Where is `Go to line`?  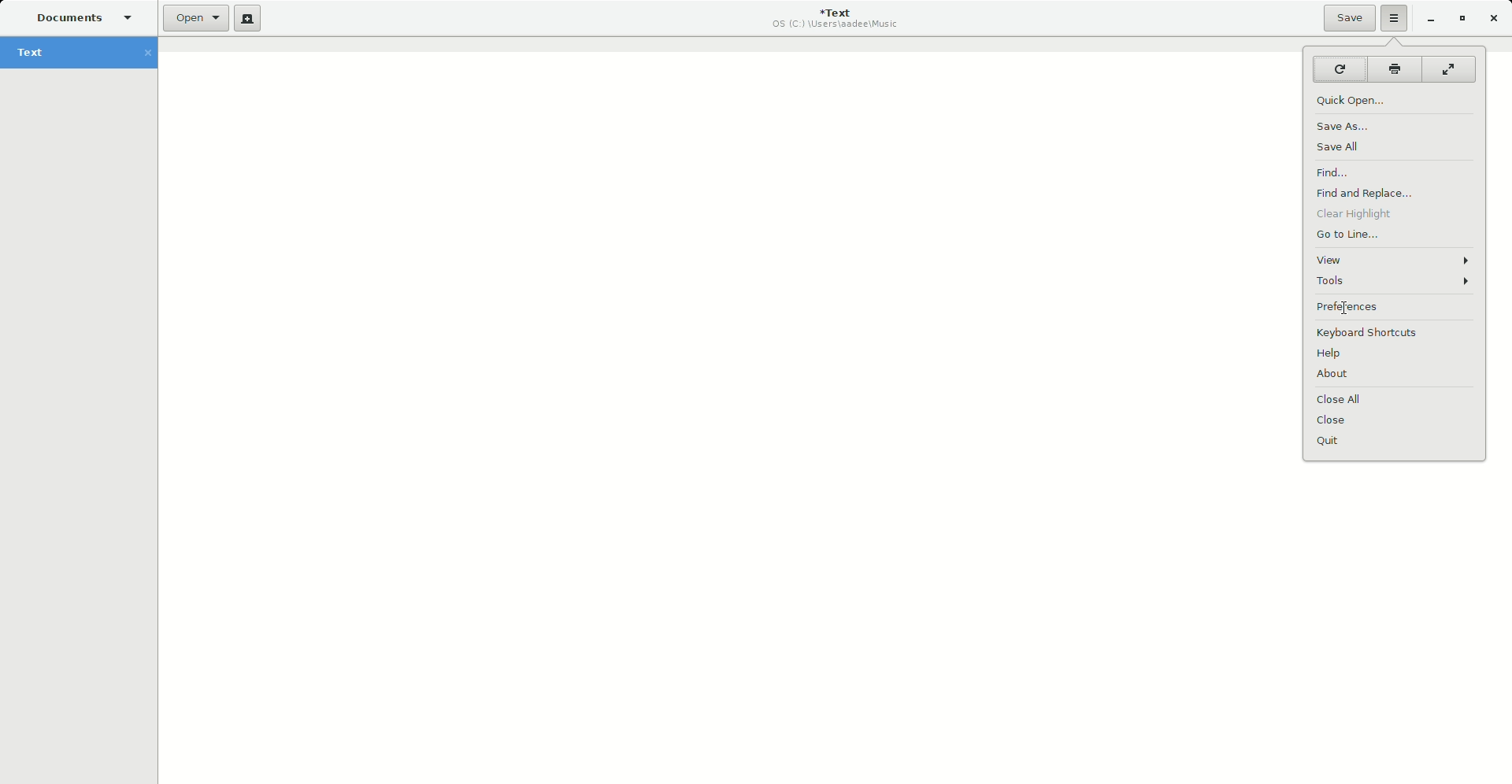
Go to line is located at coordinates (1353, 237).